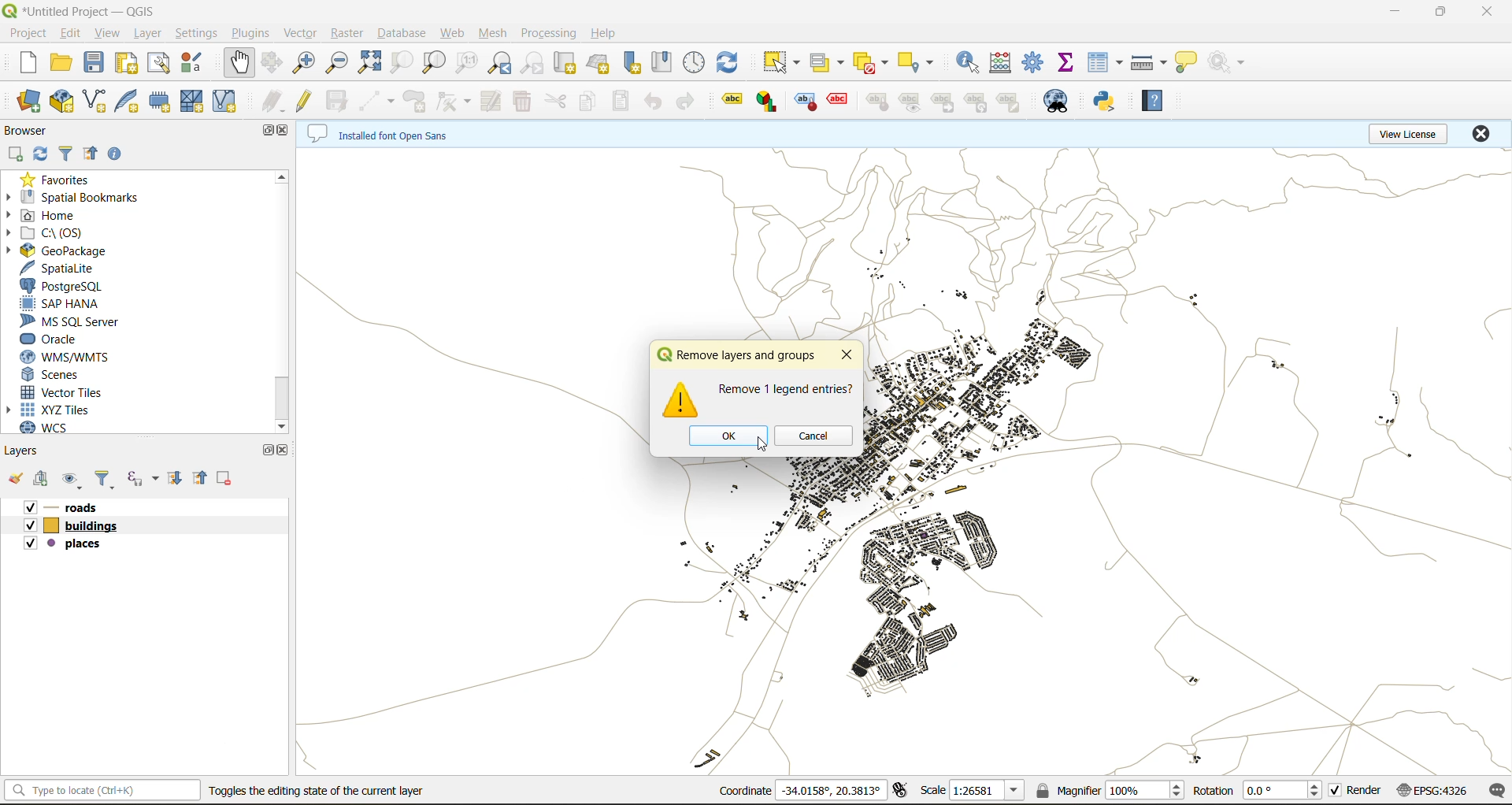 This screenshot has width=1512, height=805. What do you see at coordinates (76, 506) in the screenshot?
I see `roads layer` at bounding box center [76, 506].